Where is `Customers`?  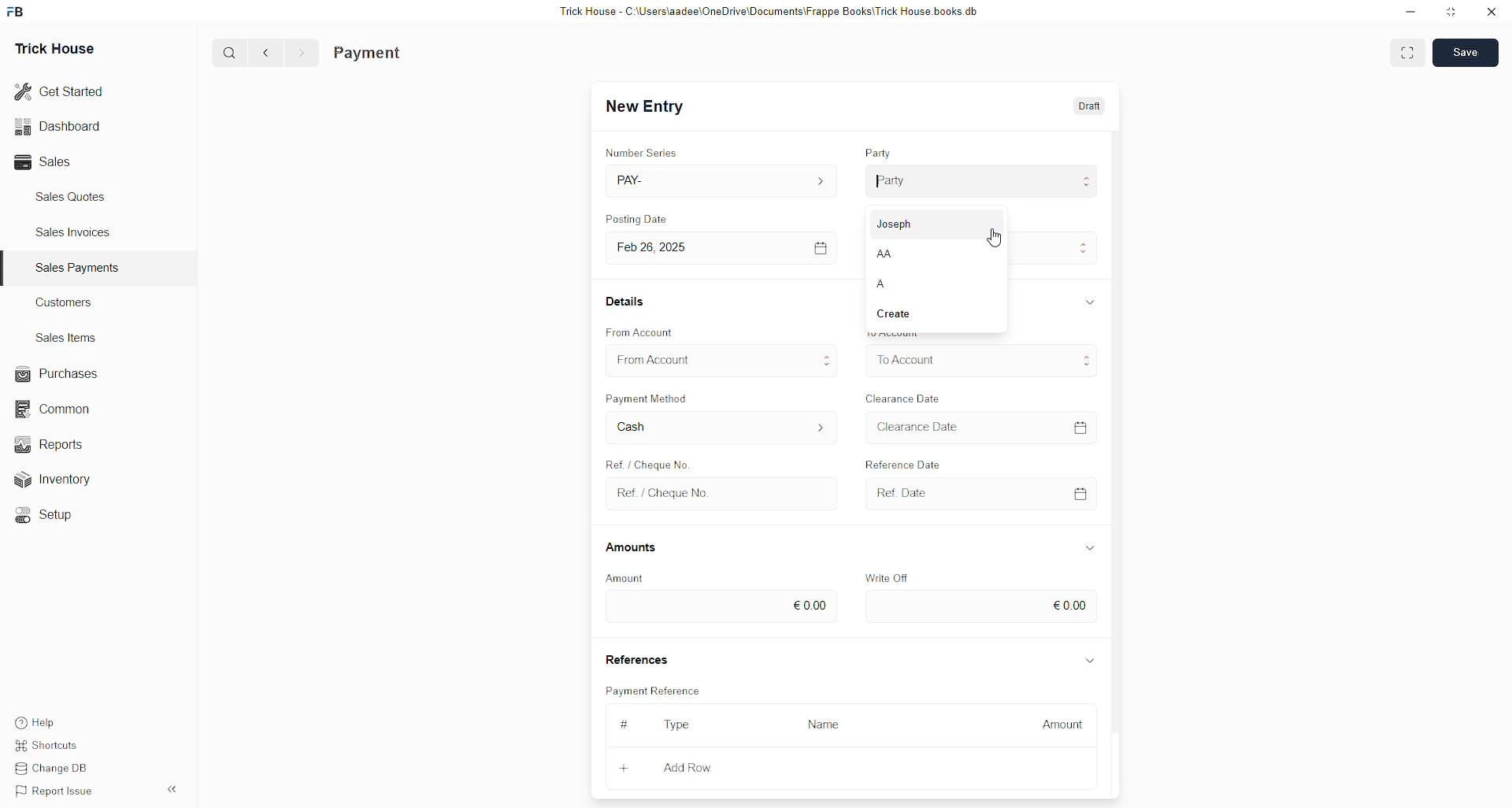 Customers is located at coordinates (69, 302).